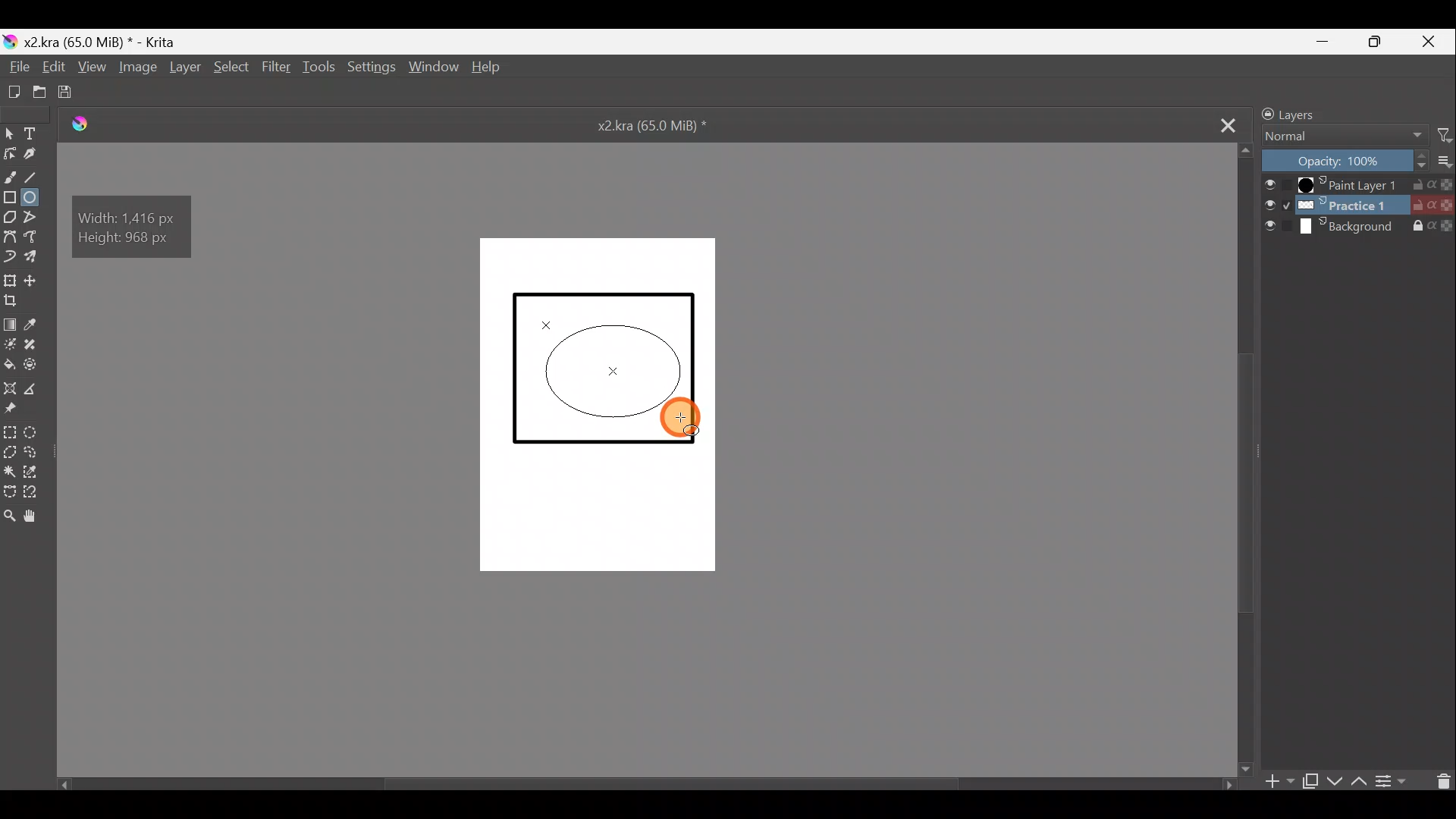 This screenshot has width=1456, height=819. What do you see at coordinates (35, 344) in the screenshot?
I see `Smart patch tool` at bounding box center [35, 344].